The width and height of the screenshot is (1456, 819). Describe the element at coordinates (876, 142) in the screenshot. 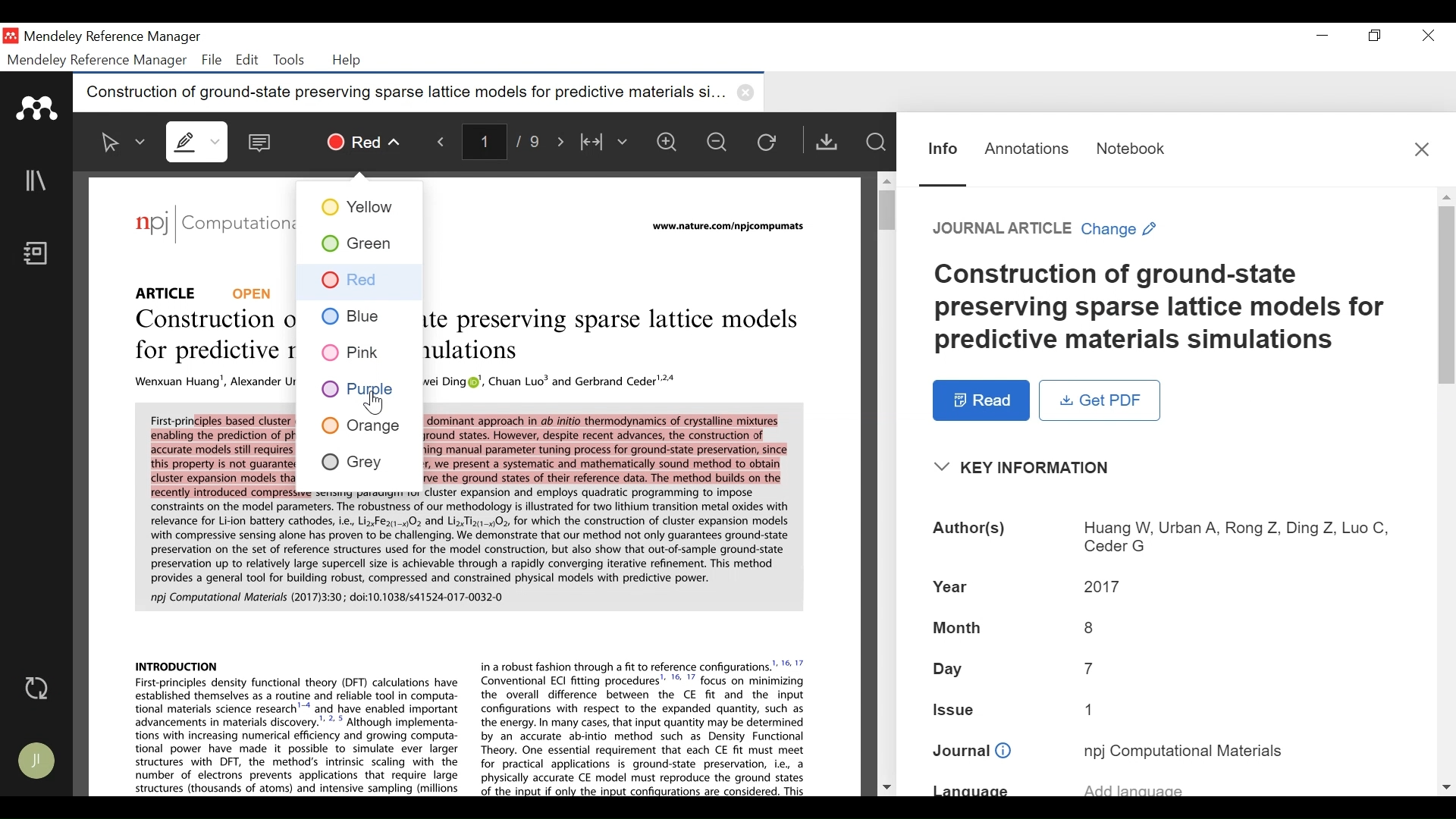

I see `Find In File` at that location.